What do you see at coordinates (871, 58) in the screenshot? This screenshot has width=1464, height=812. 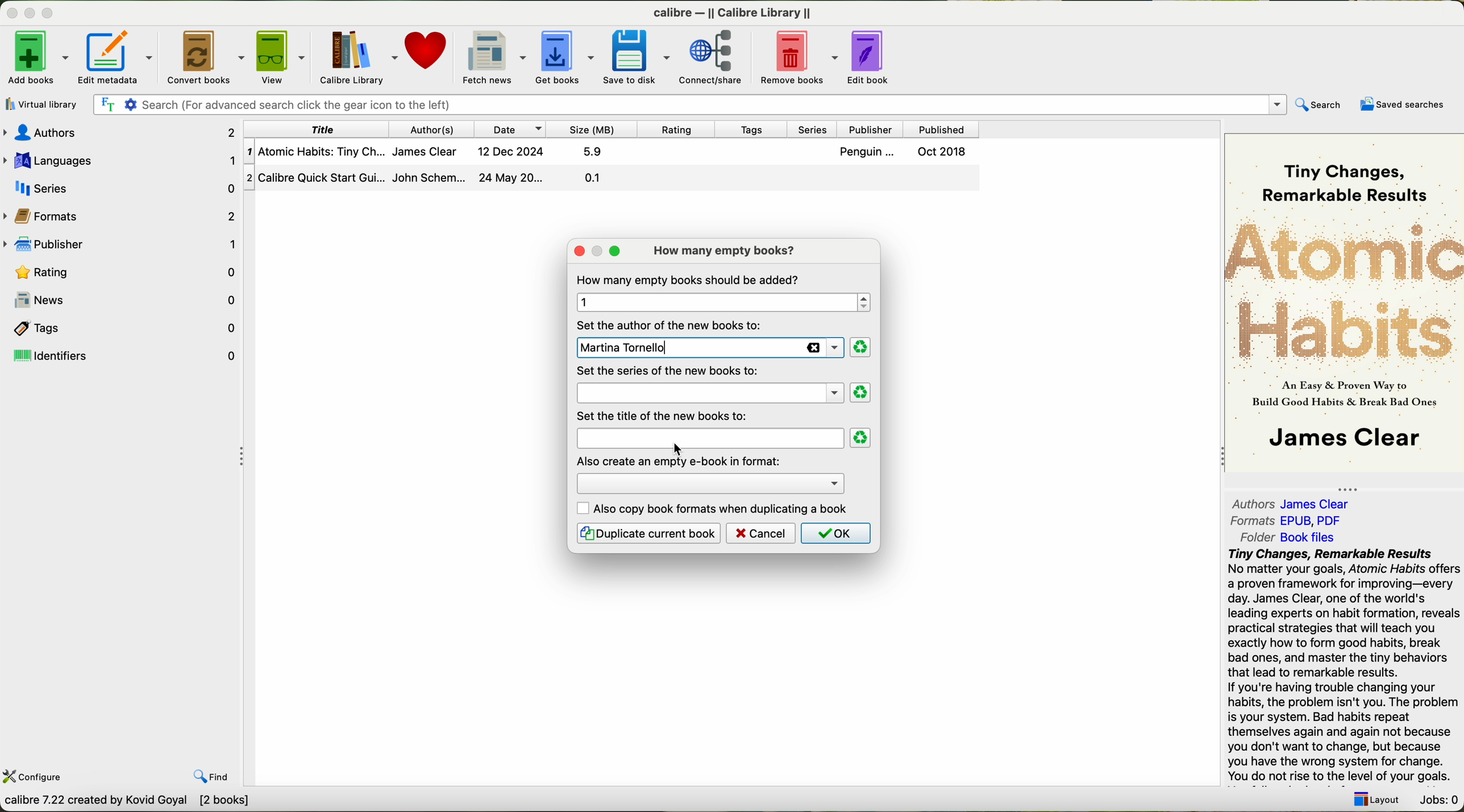 I see `edit book` at bounding box center [871, 58].